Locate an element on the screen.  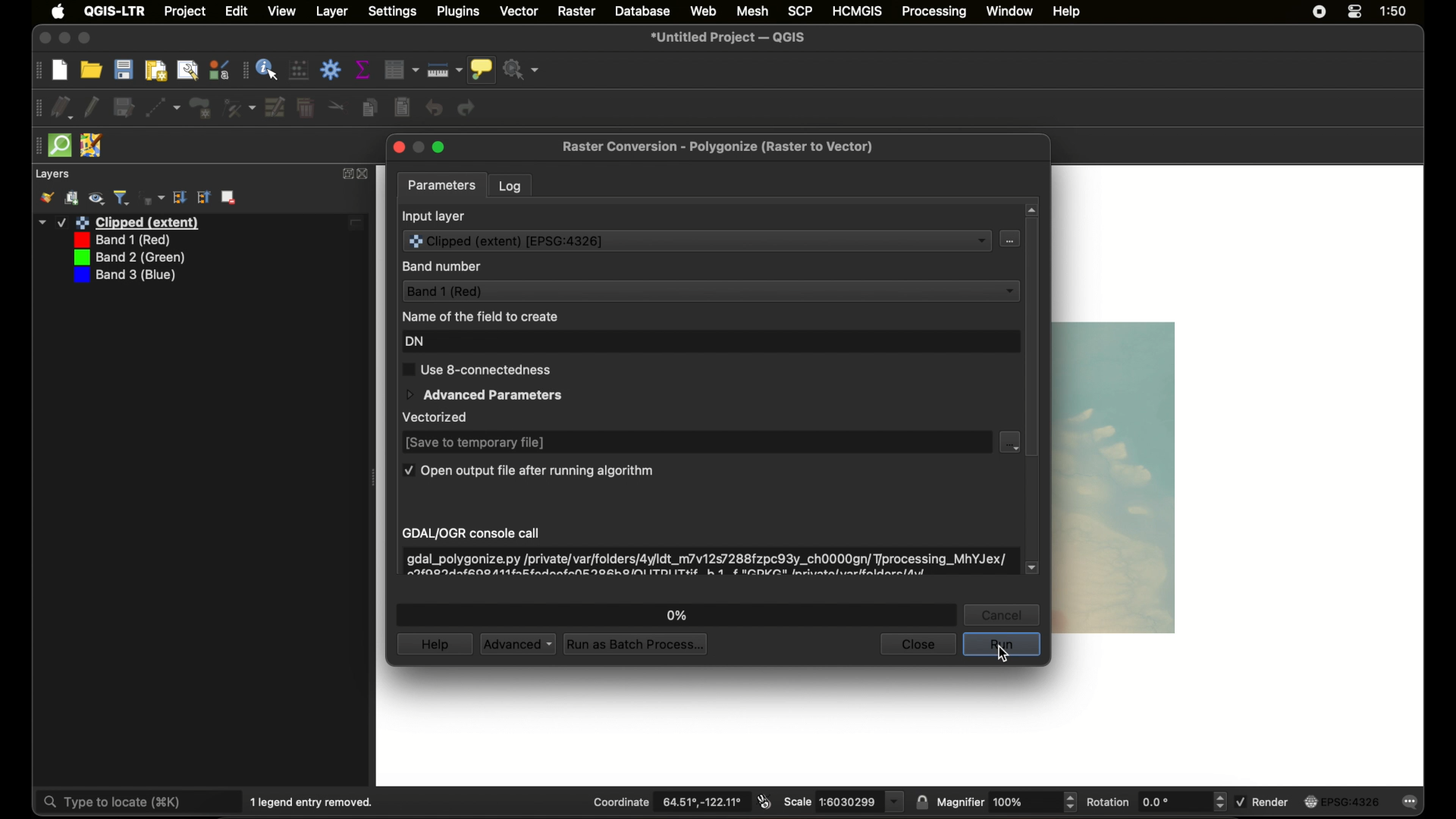
toolbox is located at coordinates (330, 70).